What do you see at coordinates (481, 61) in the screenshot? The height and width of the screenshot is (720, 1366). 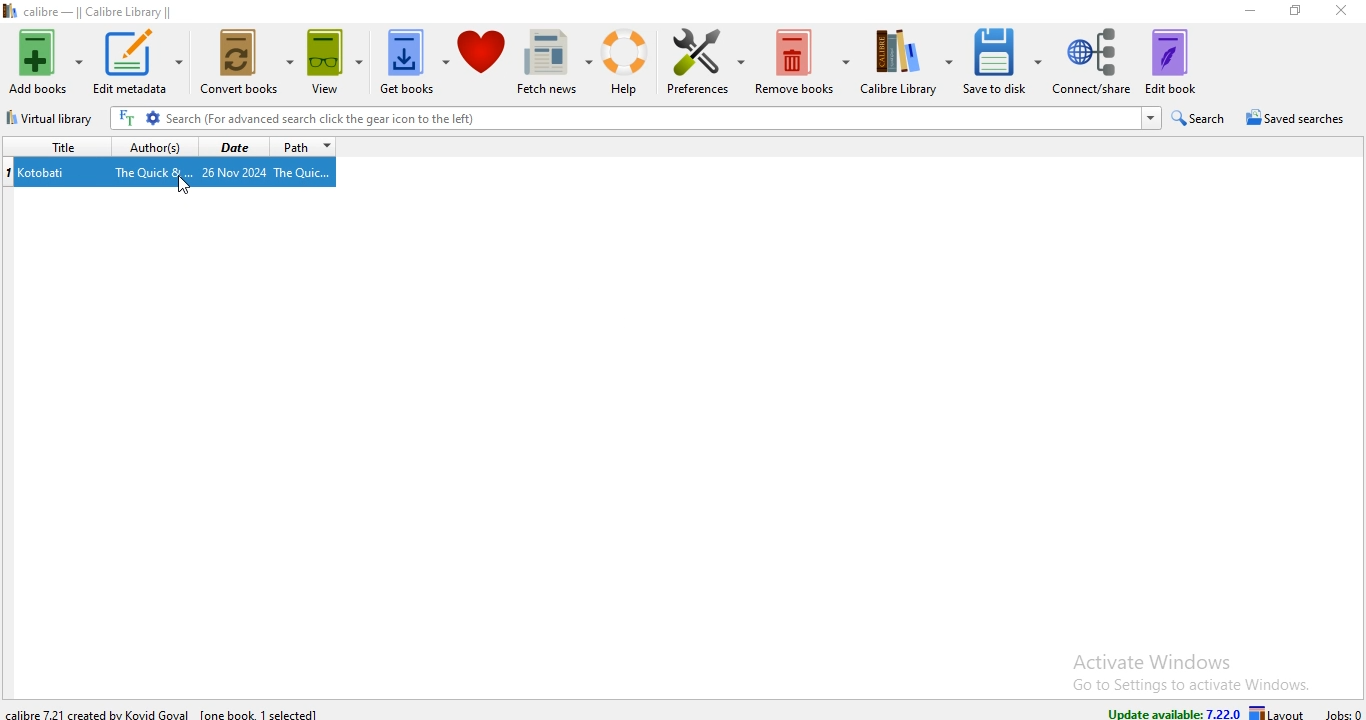 I see `donate to calibre` at bounding box center [481, 61].